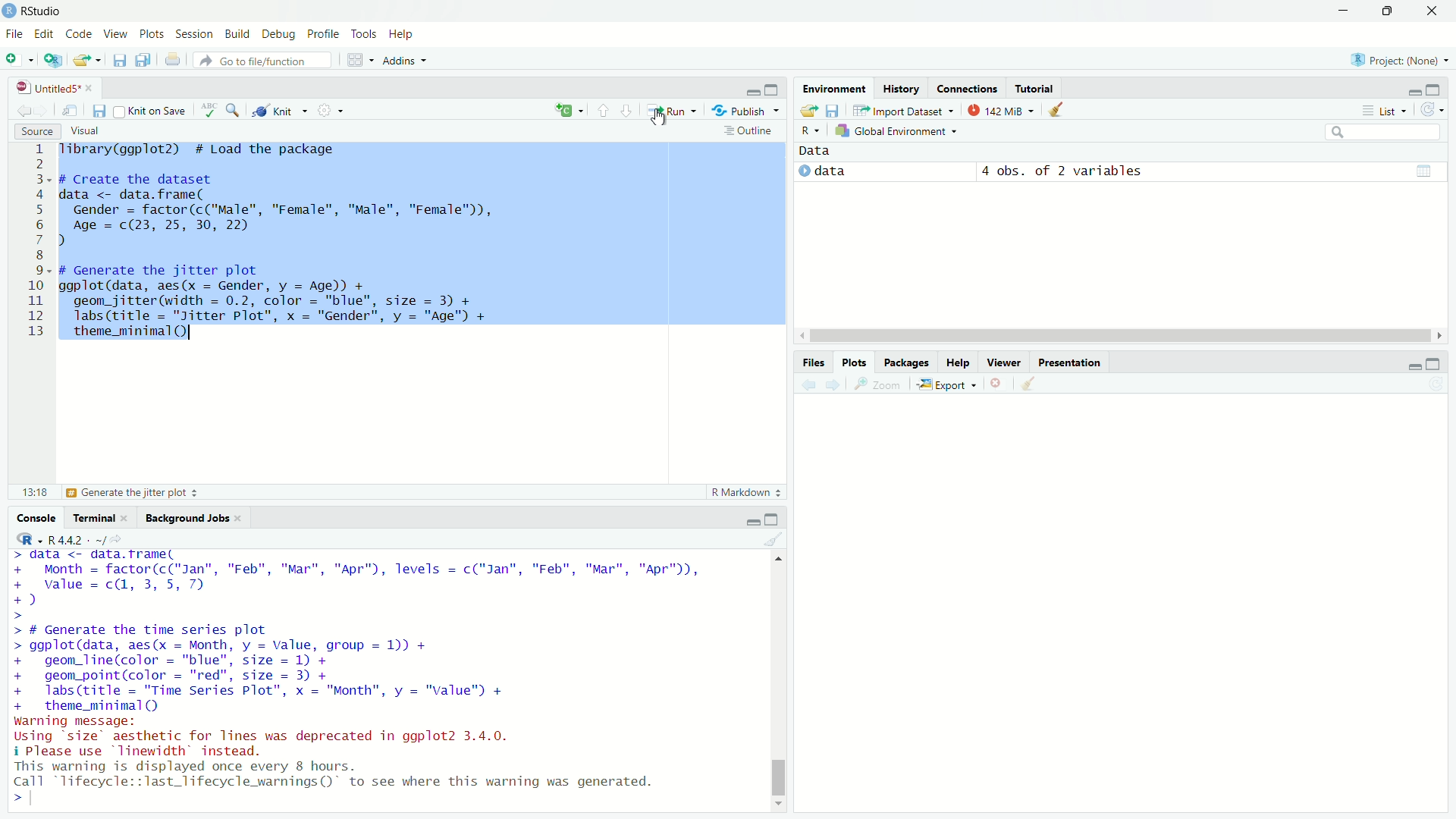 The height and width of the screenshot is (819, 1456). I want to click on profile, so click(325, 33).